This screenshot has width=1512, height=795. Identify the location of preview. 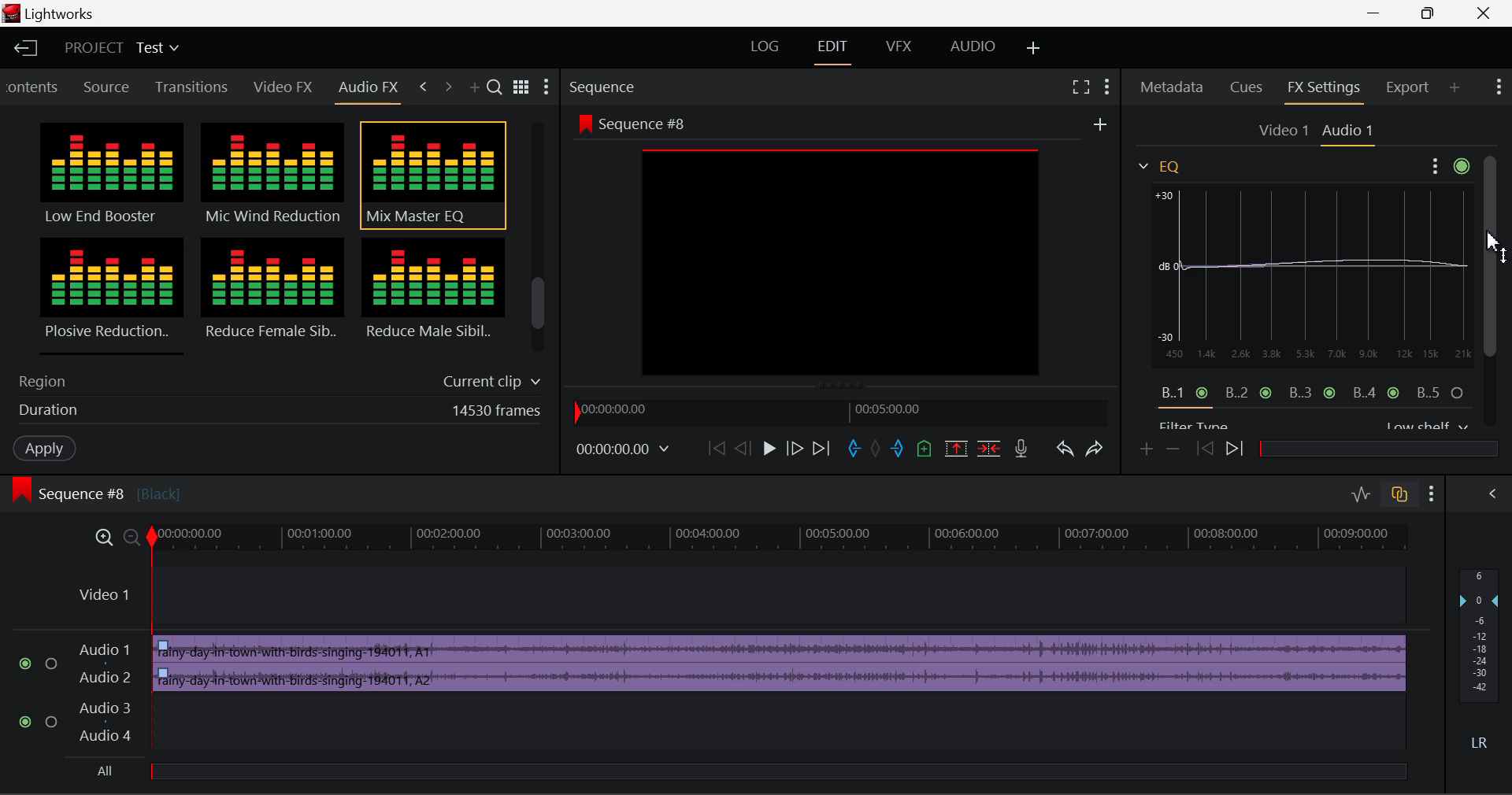
(842, 264).